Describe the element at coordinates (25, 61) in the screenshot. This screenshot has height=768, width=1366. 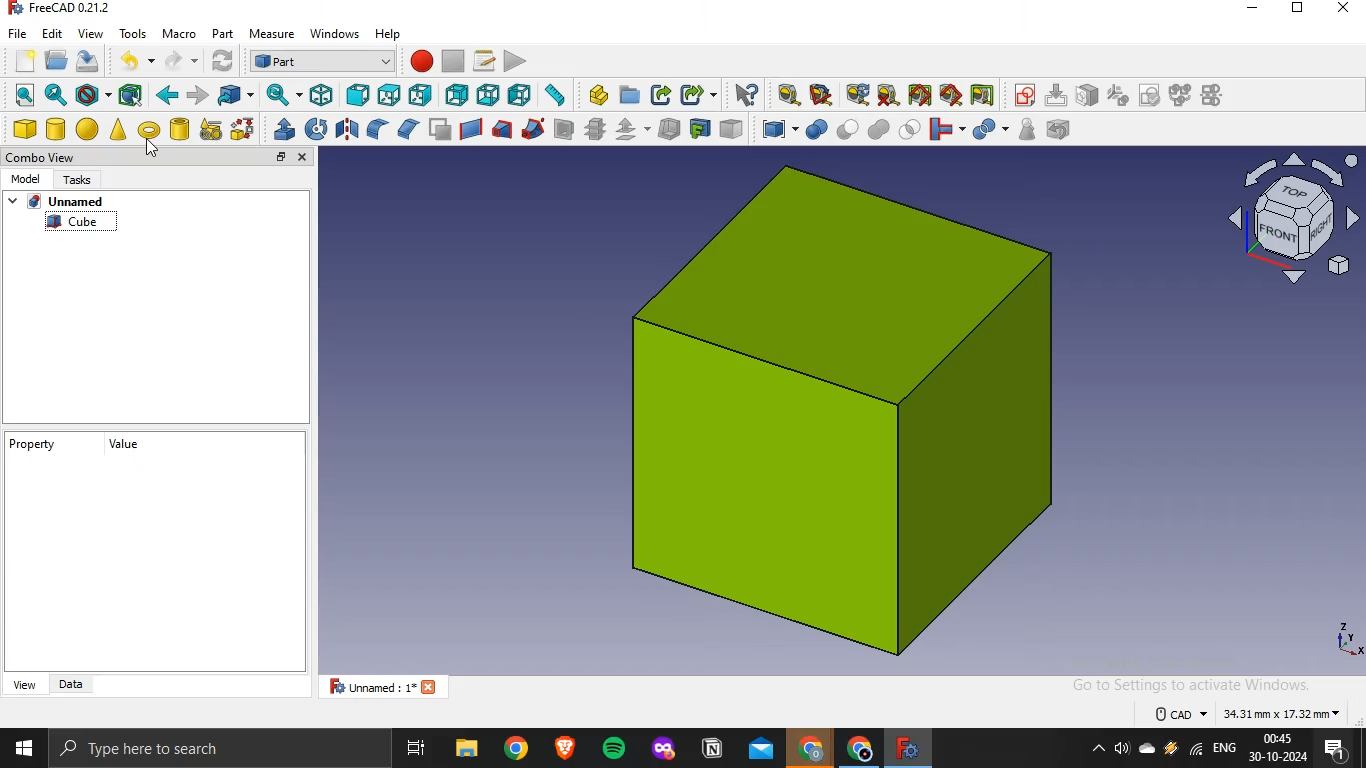
I see `new` at that location.